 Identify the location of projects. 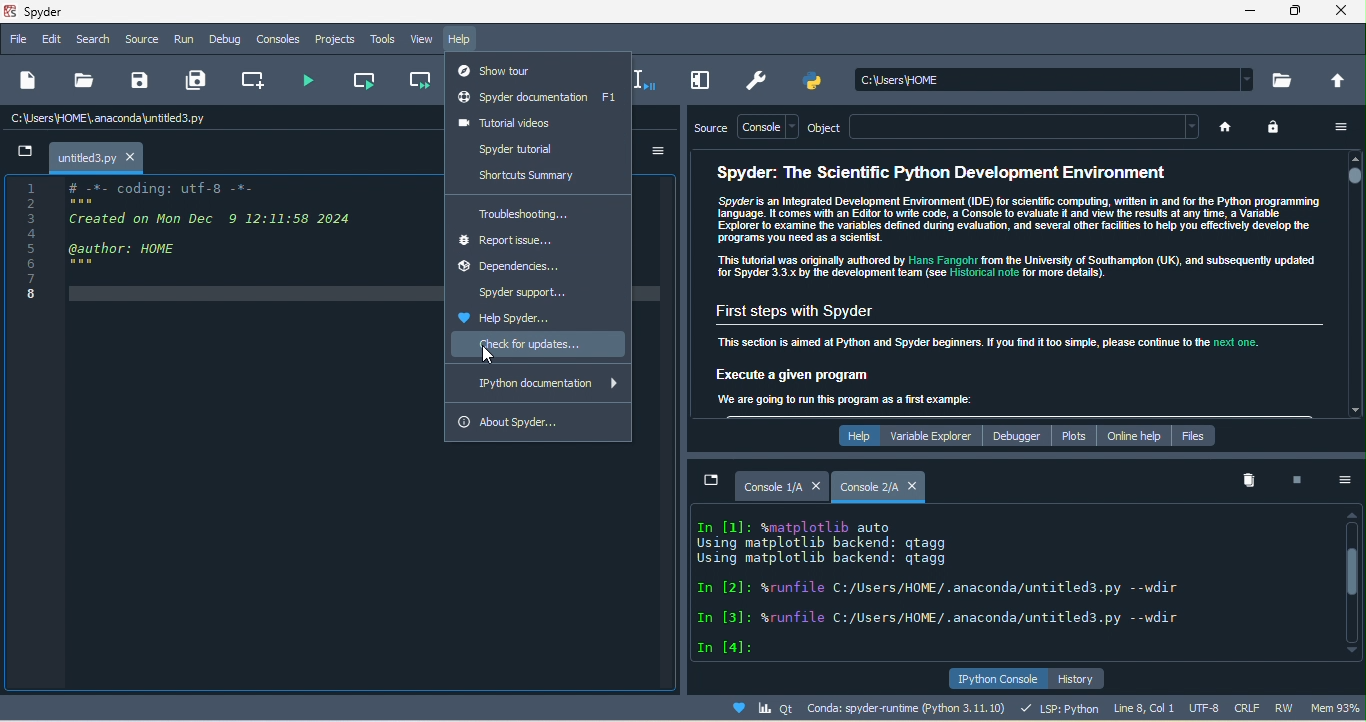
(338, 39).